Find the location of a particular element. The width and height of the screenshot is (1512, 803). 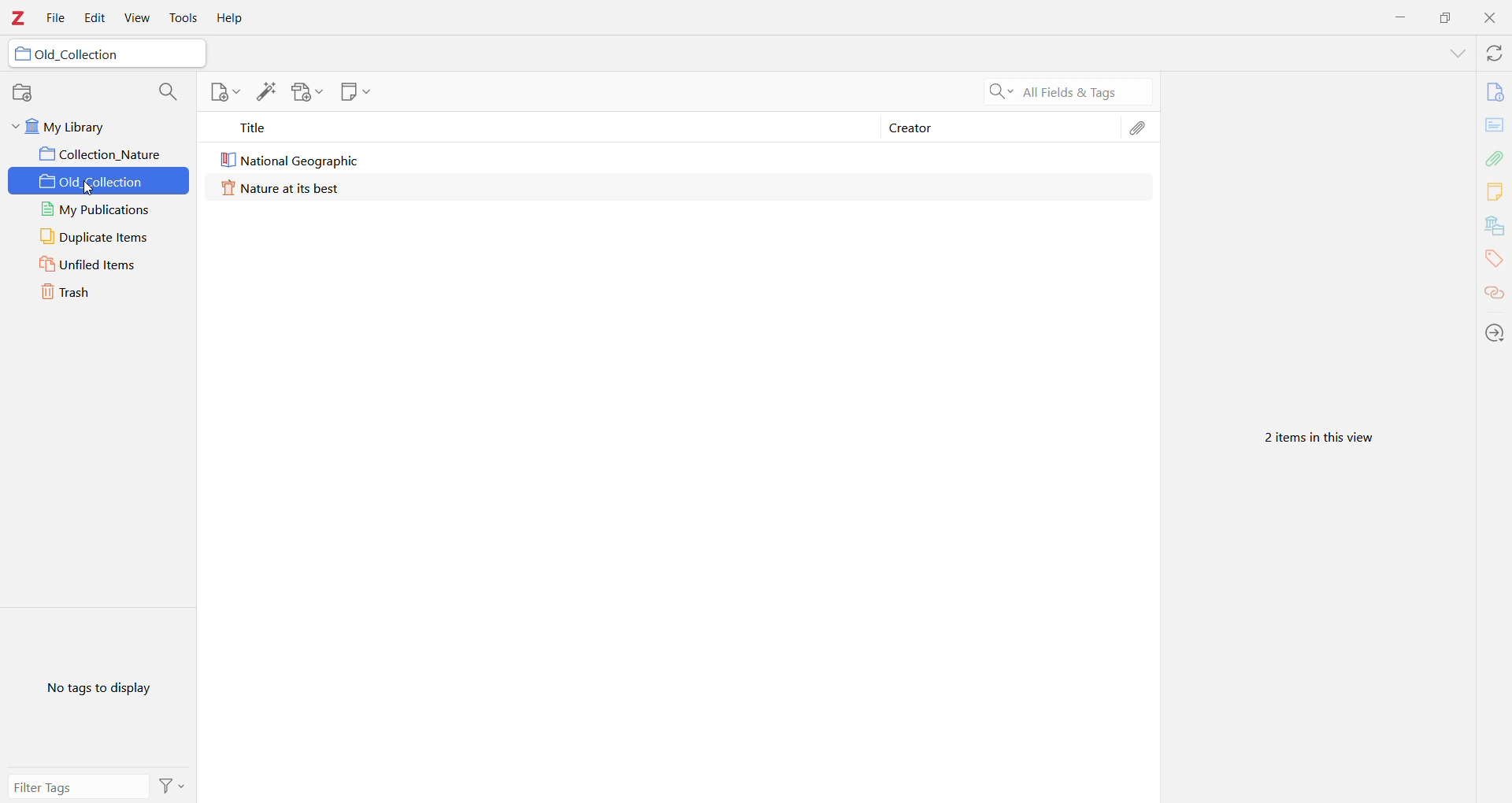

Search is located at coordinates (1062, 92).